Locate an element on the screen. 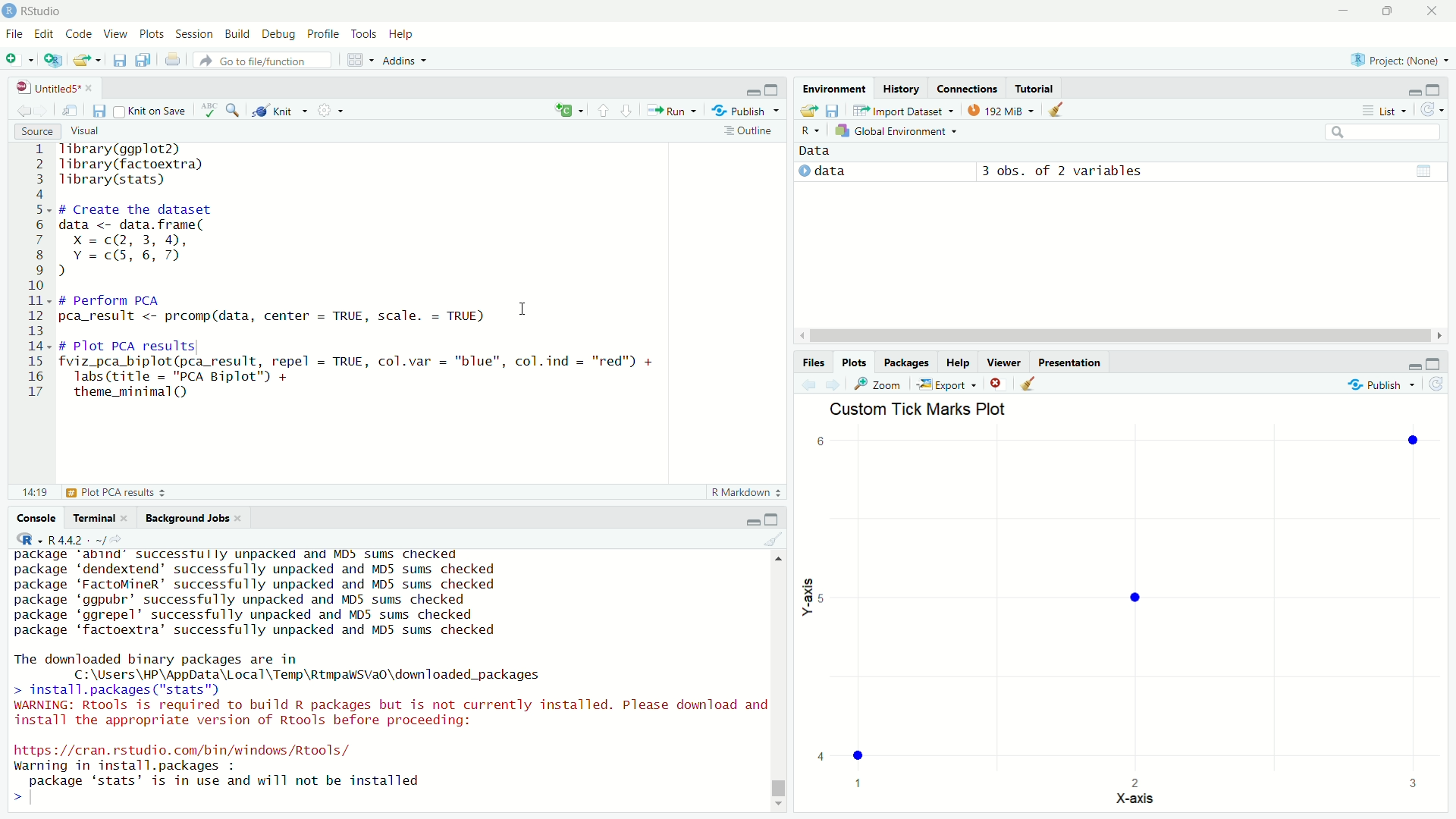 The width and height of the screenshot is (1456, 819). connections is located at coordinates (966, 88).